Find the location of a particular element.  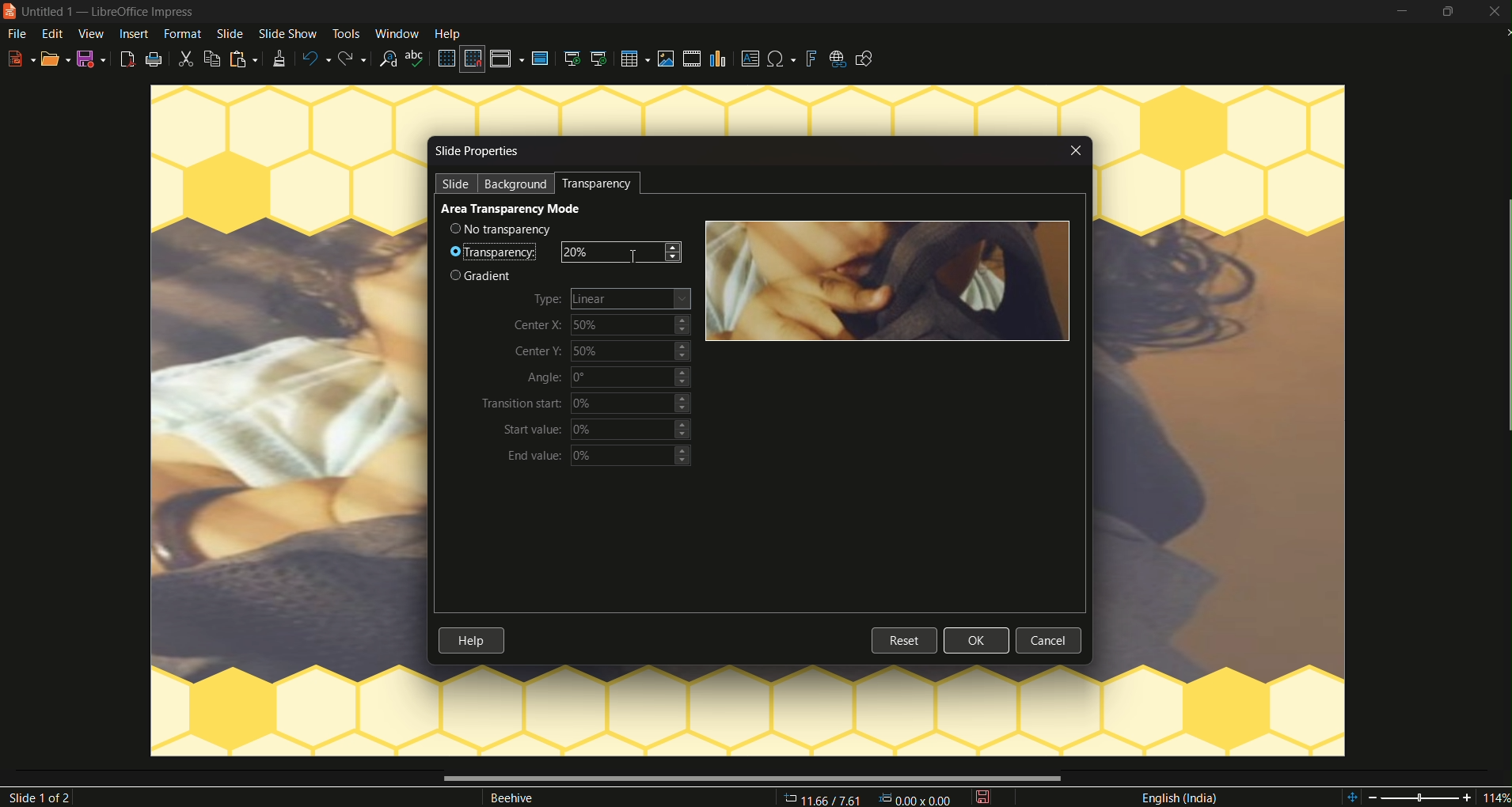

scrollbar is located at coordinates (1503, 317).